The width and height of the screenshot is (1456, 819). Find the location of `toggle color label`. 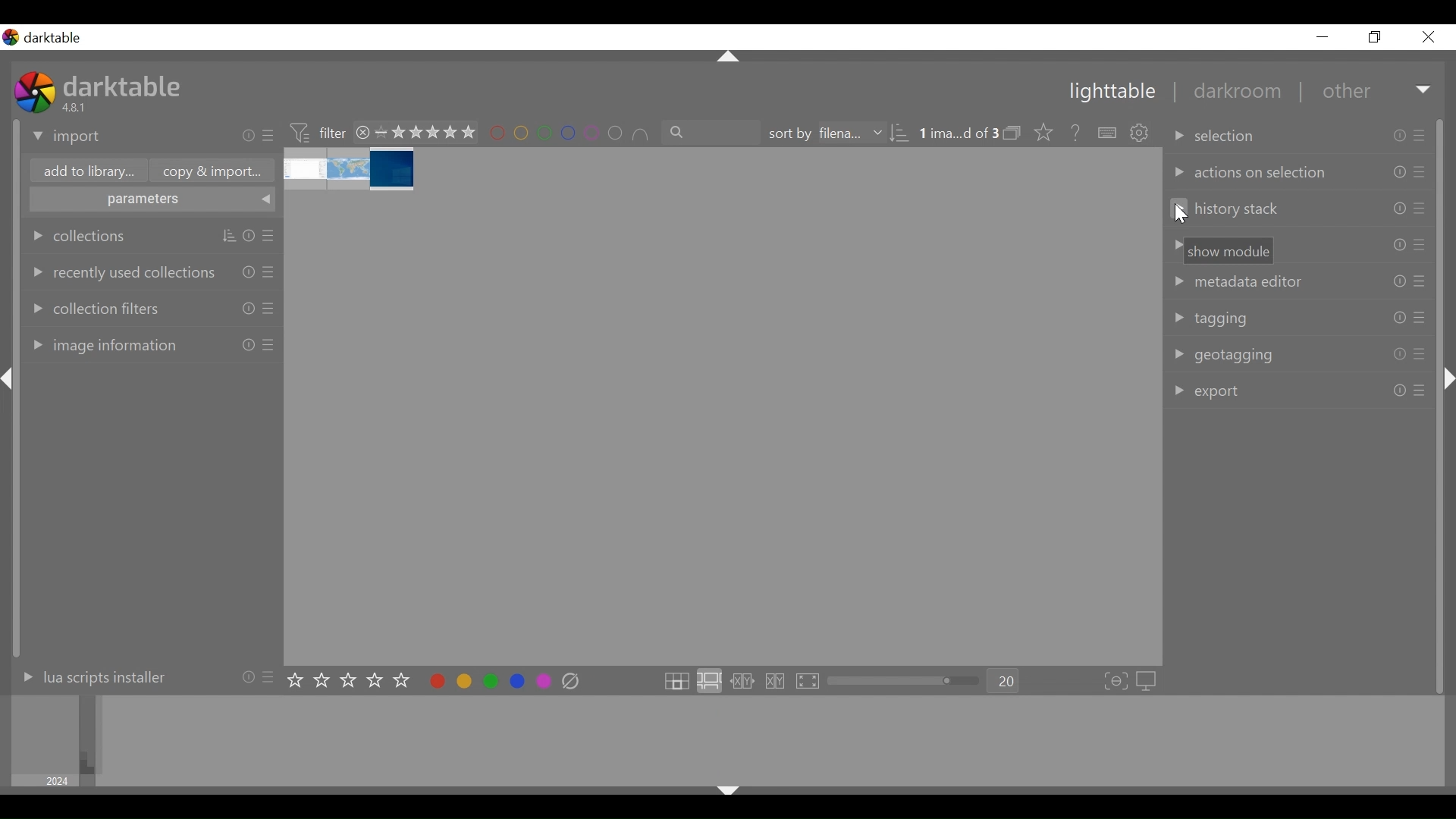

toggle color label is located at coordinates (486, 680).